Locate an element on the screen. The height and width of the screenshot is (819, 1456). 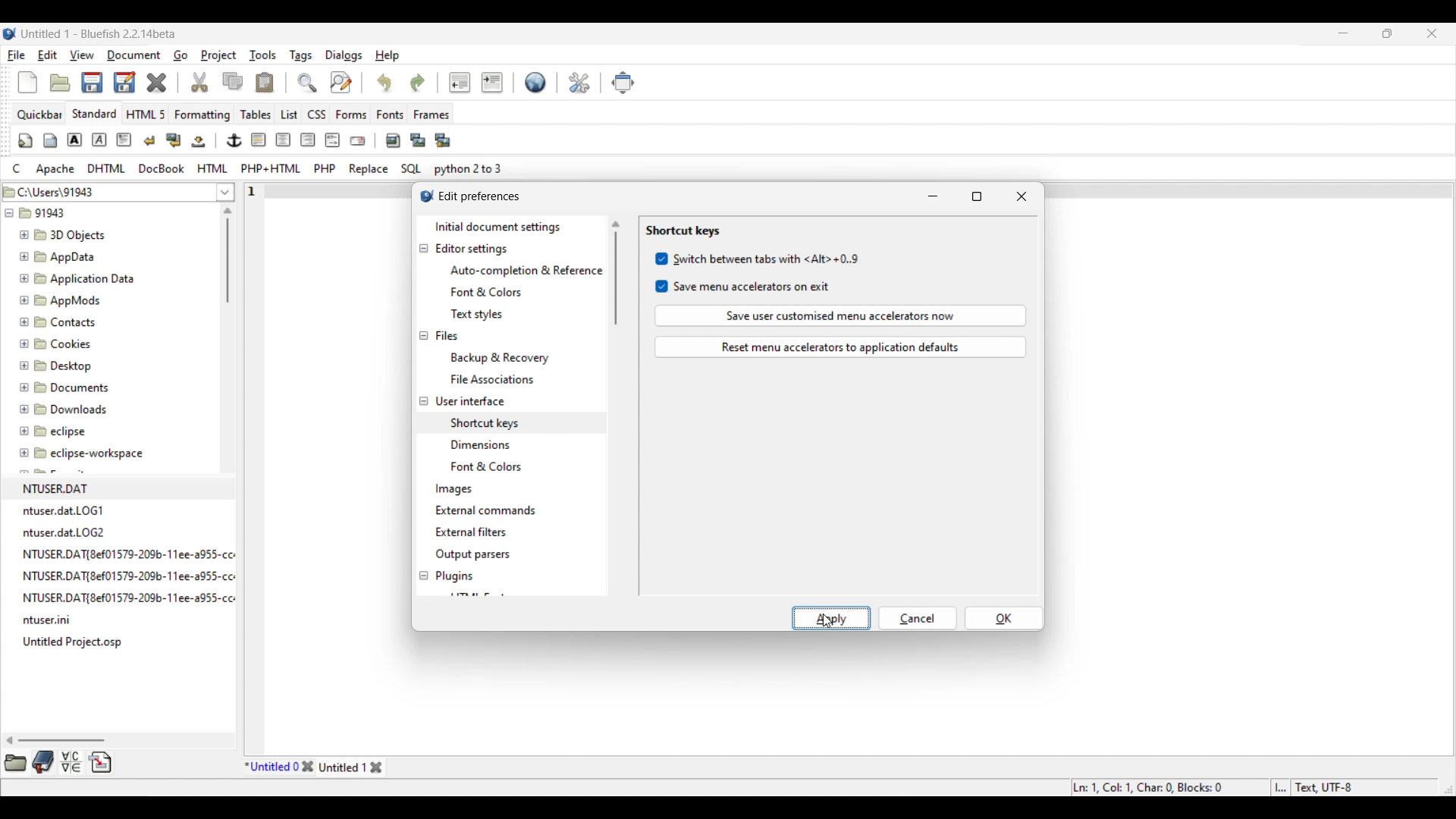
Dimensions is located at coordinates (484, 444).